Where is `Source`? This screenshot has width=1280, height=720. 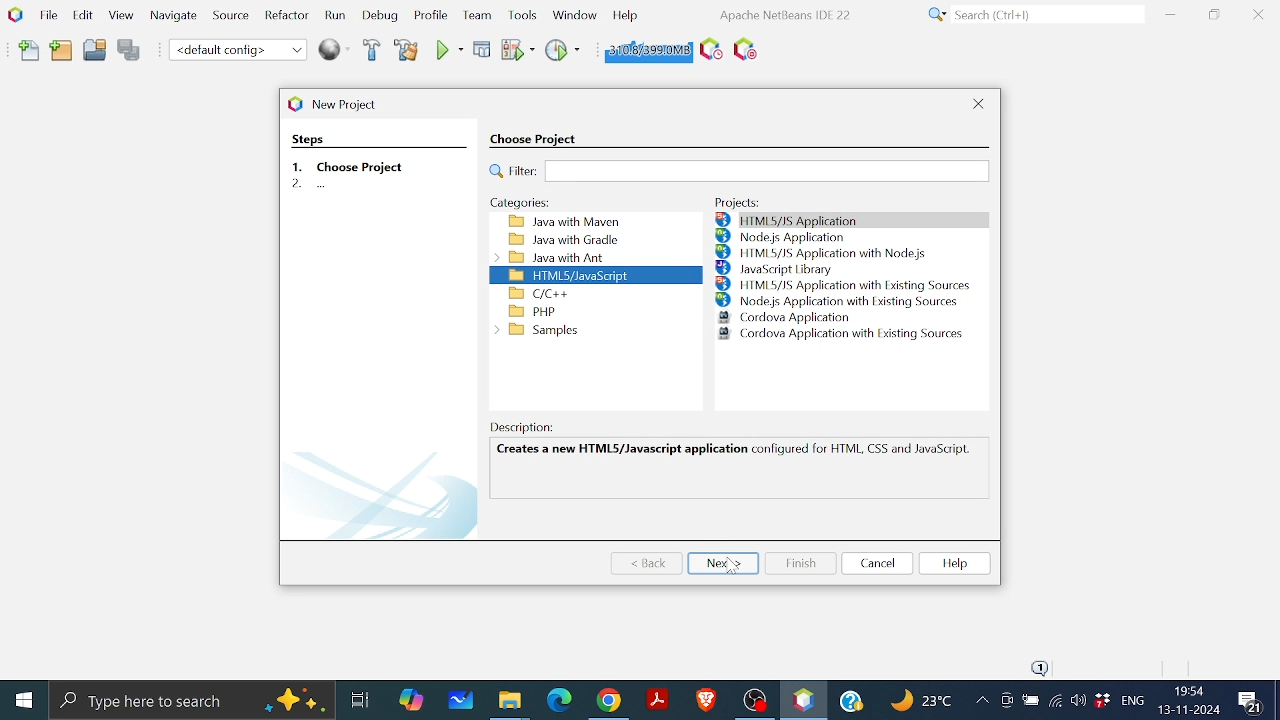
Source is located at coordinates (228, 19).